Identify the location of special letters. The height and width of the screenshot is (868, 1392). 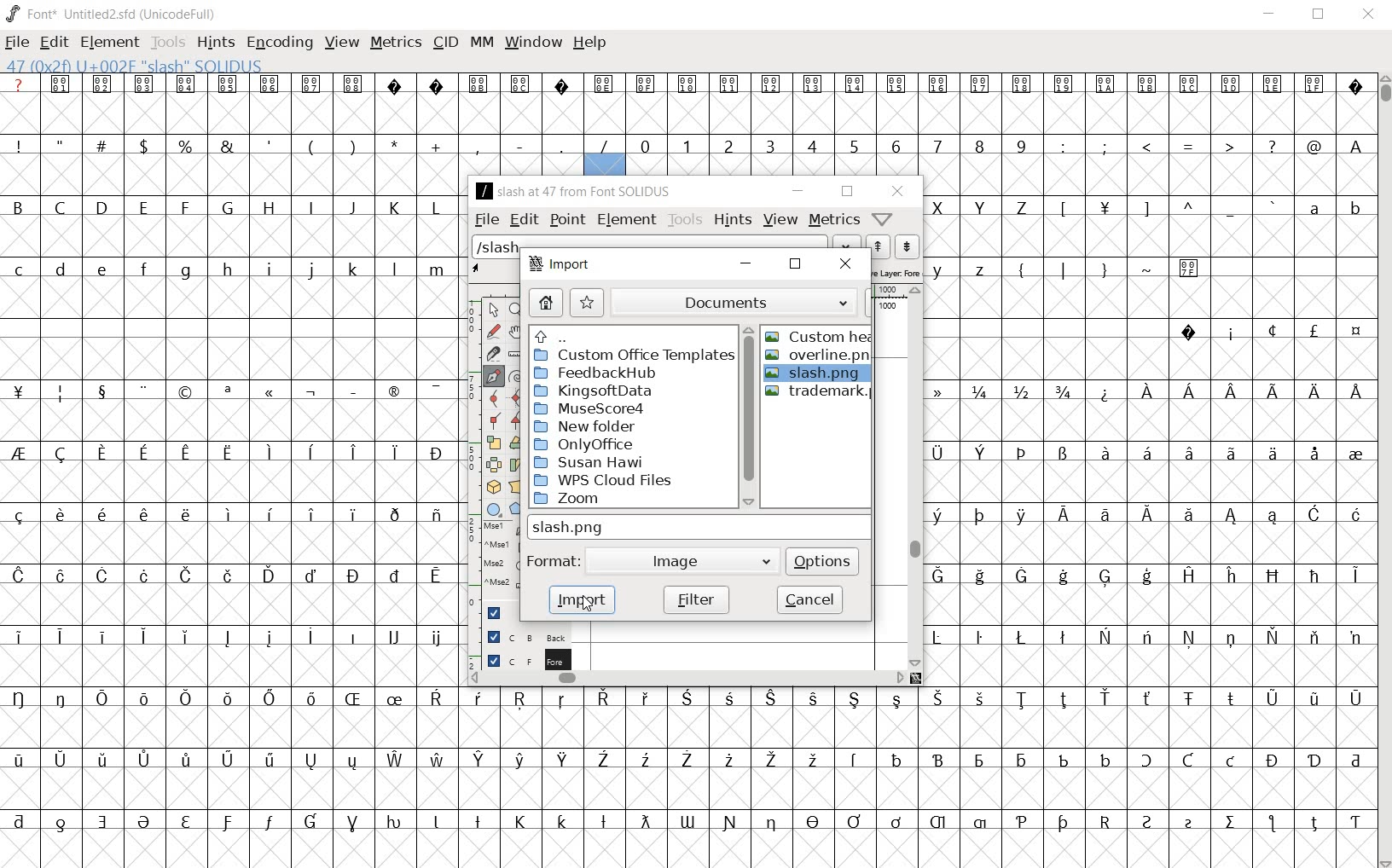
(235, 638).